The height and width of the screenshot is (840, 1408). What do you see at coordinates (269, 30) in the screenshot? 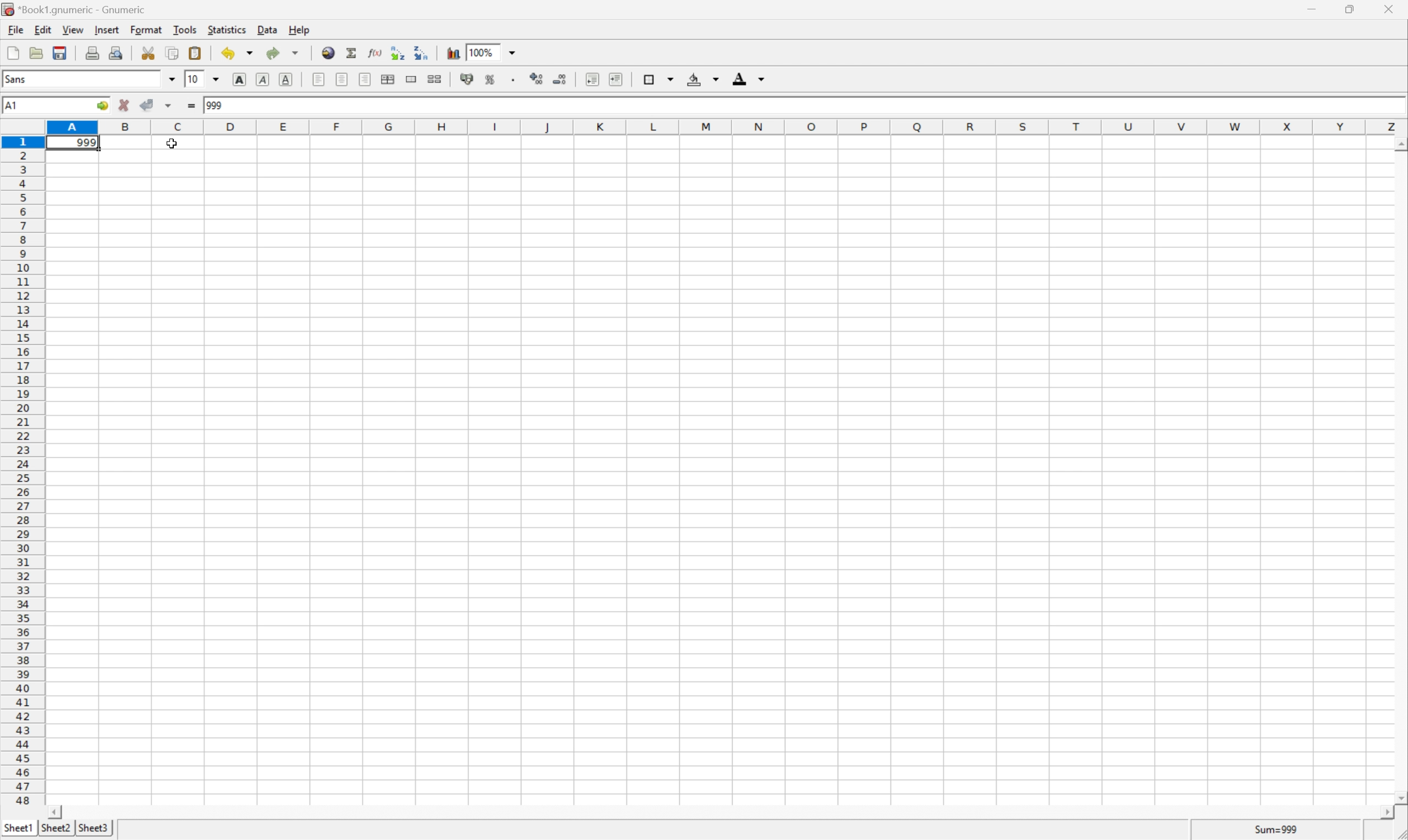
I see `data` at bounding box center [269, 30].